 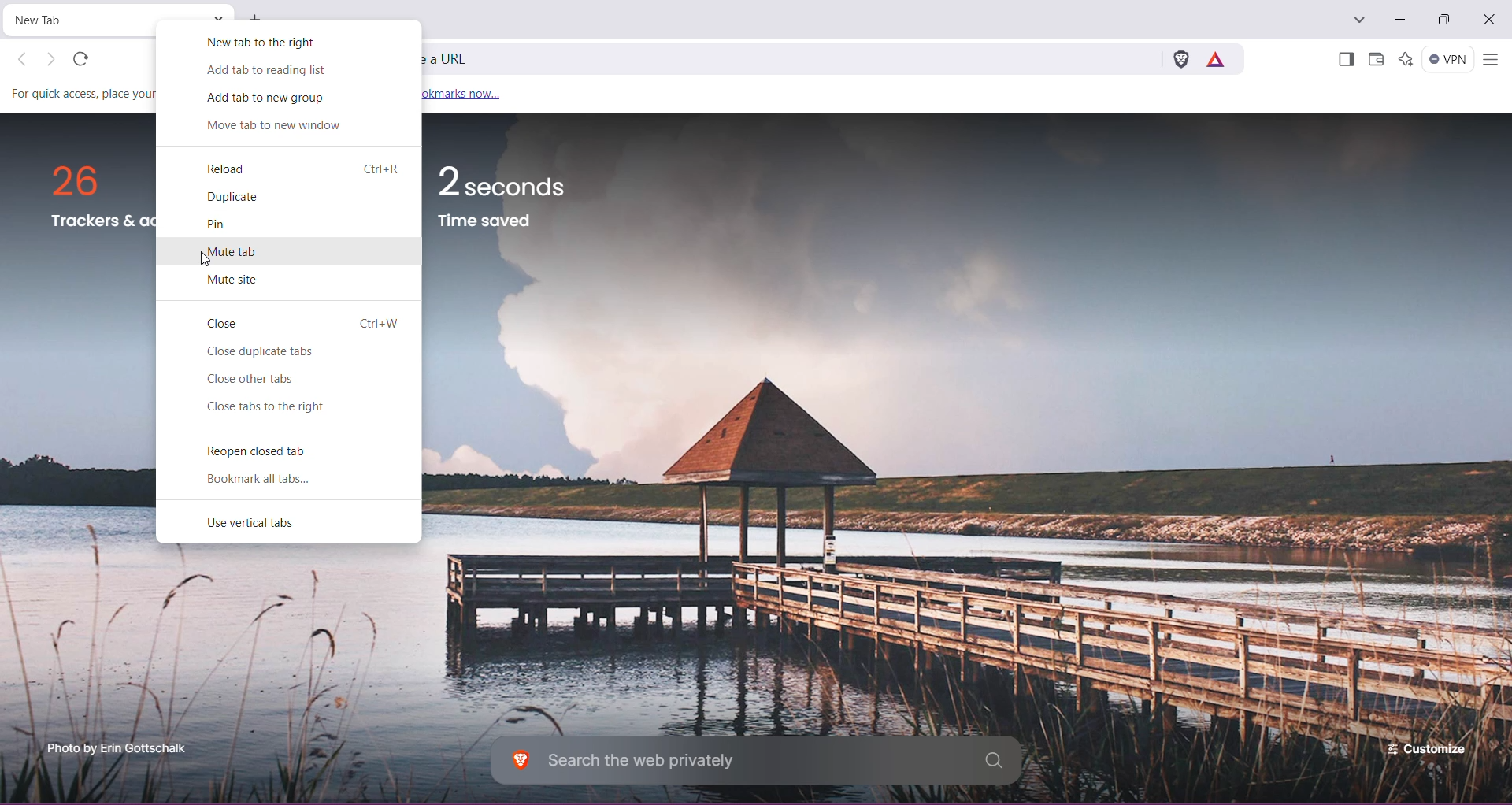 I want to click on Mute tab, so click(x=289, y=252).